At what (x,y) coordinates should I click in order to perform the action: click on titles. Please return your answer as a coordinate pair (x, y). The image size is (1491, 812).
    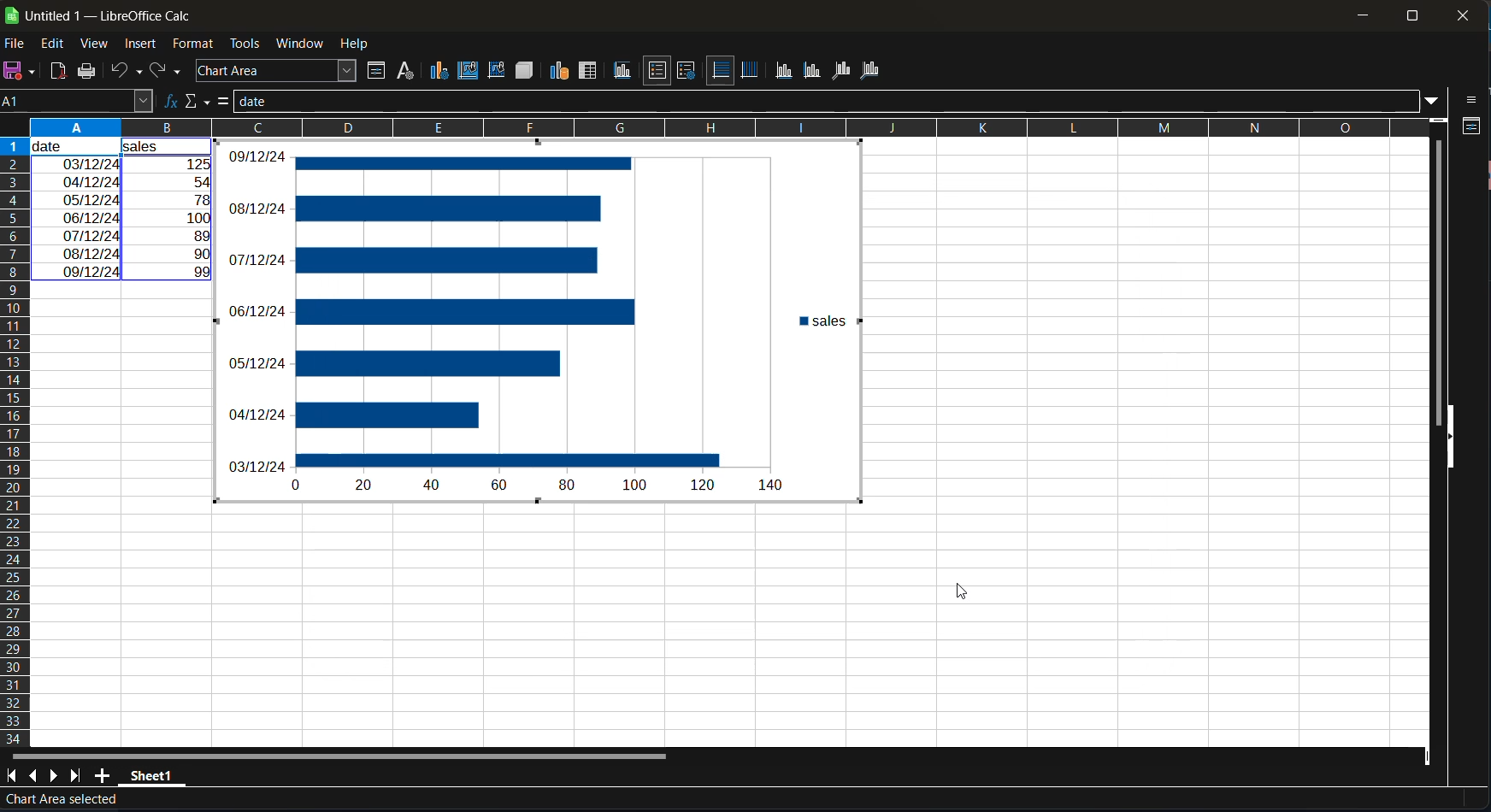
    Looking at the image, I should click on (625, 72).